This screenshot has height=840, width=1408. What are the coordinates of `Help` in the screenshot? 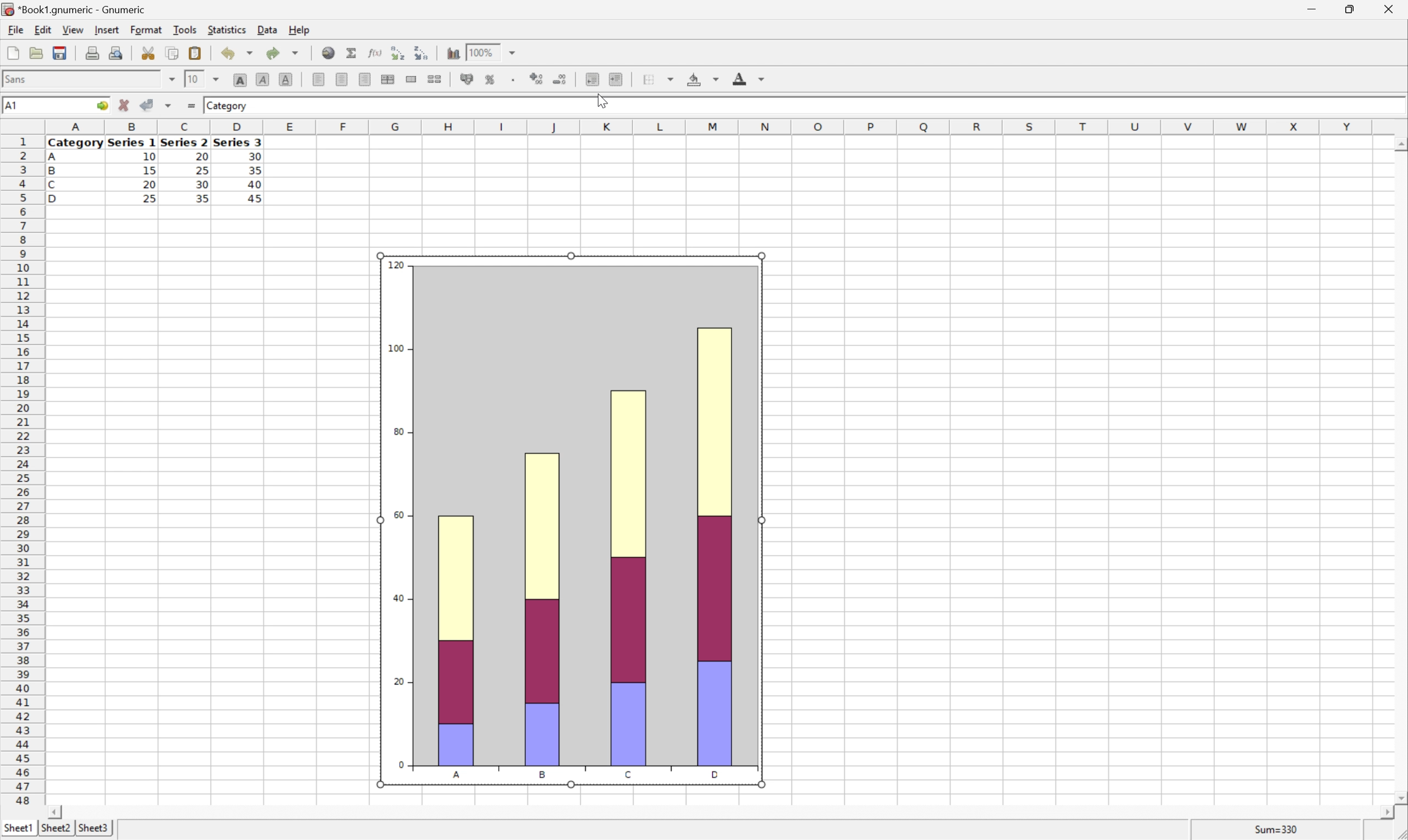 It's located at (300, 31).